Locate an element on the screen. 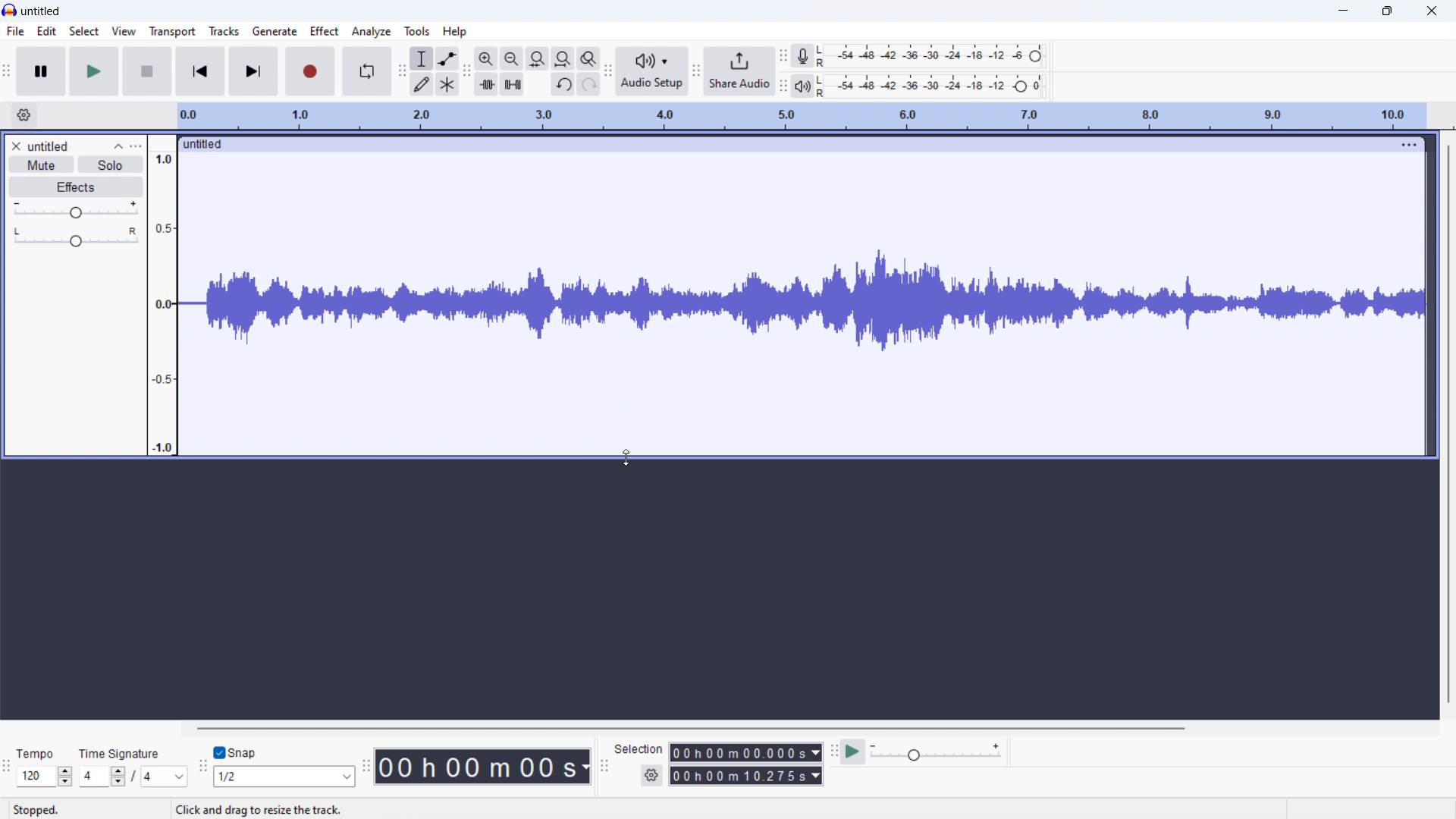 The height and width of the screenshot is (819, 1456). audio setup is located at coordinates (651, 72).